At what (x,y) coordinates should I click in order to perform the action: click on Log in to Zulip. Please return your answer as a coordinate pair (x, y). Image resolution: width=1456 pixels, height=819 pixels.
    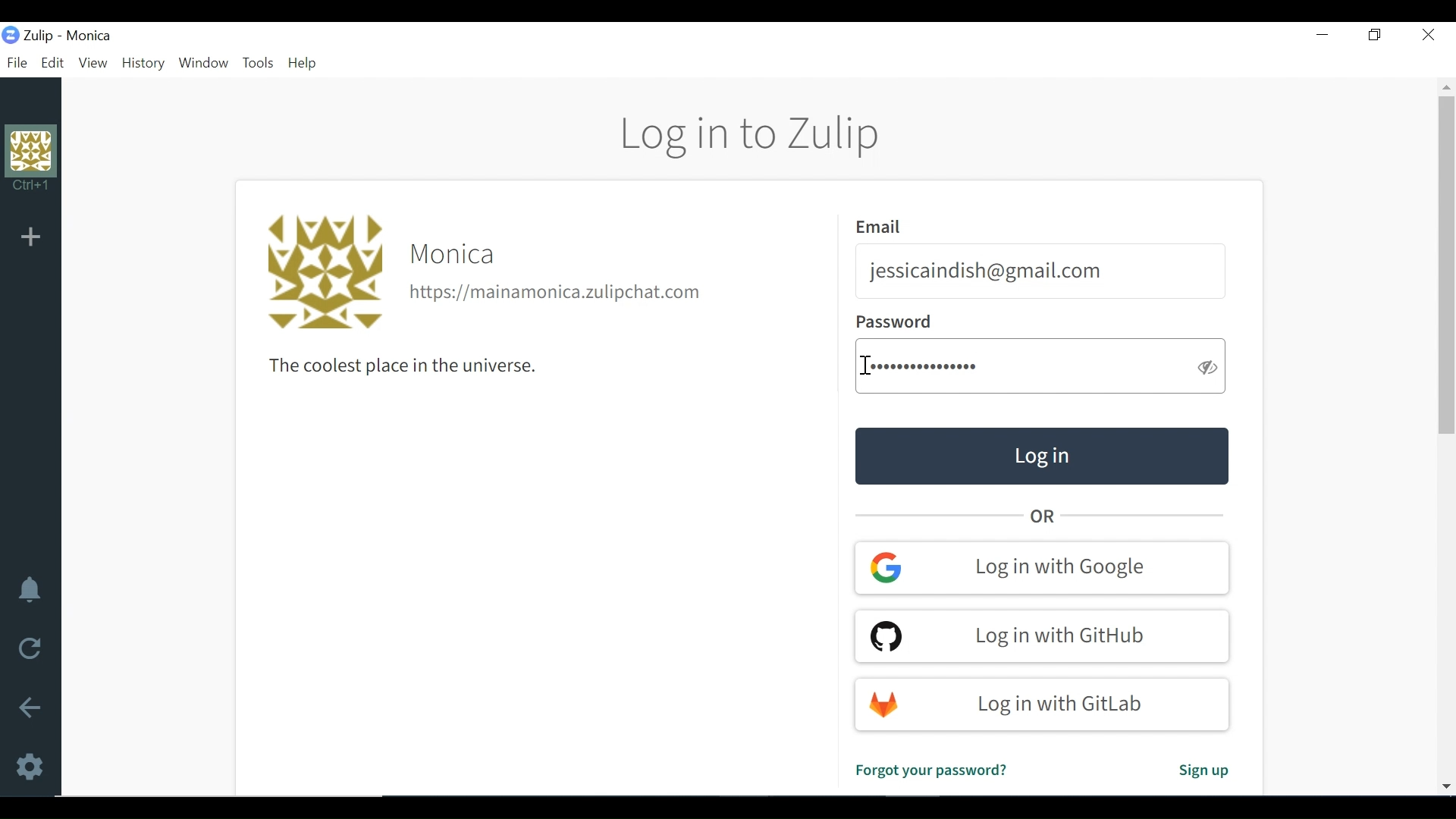
    Looking at the image, I should click on (752, 136).